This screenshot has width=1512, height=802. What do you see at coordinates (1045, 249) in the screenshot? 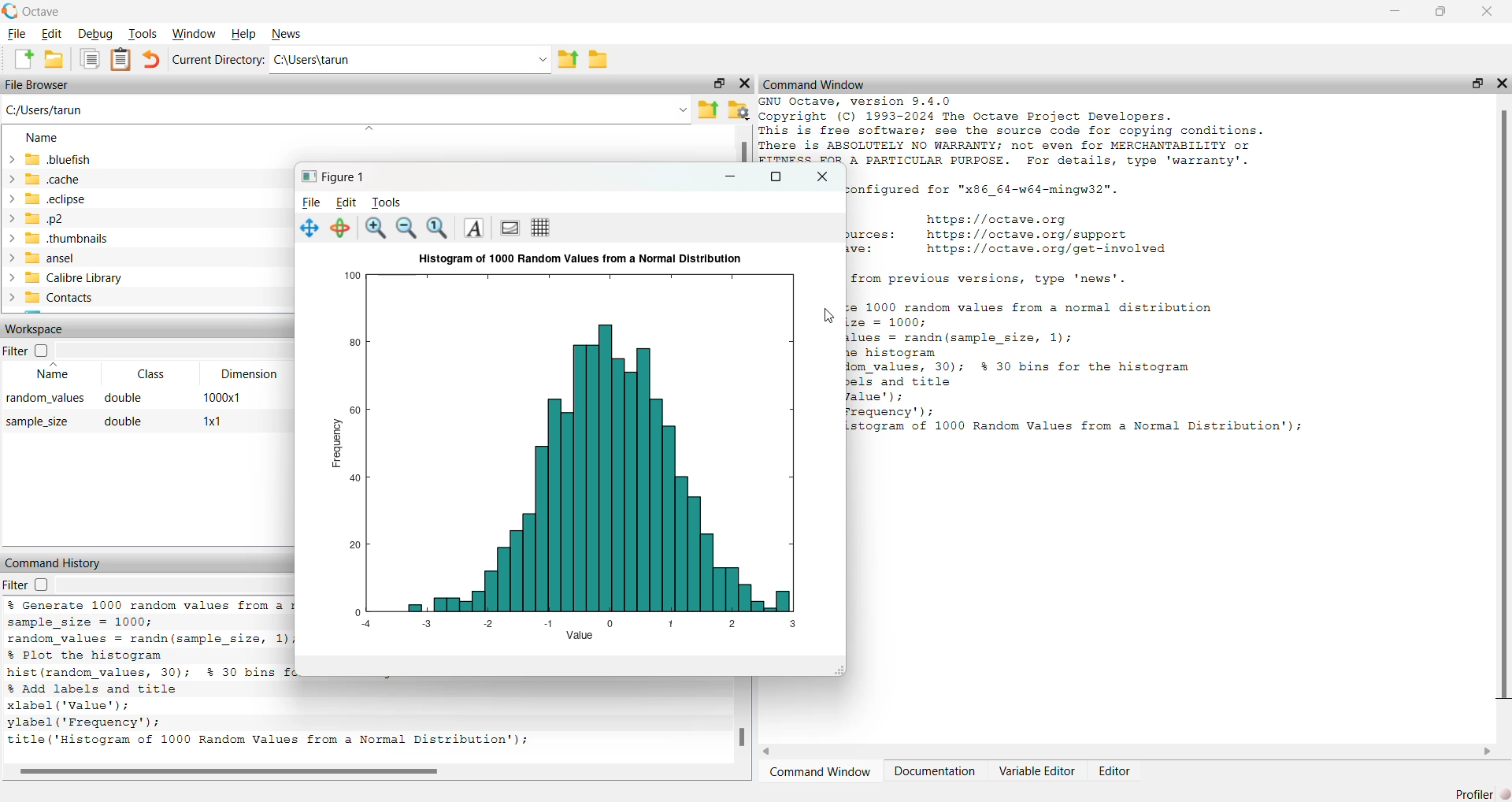
I see `https://octave.org/get-involved` at bounding box center [1045, 249].